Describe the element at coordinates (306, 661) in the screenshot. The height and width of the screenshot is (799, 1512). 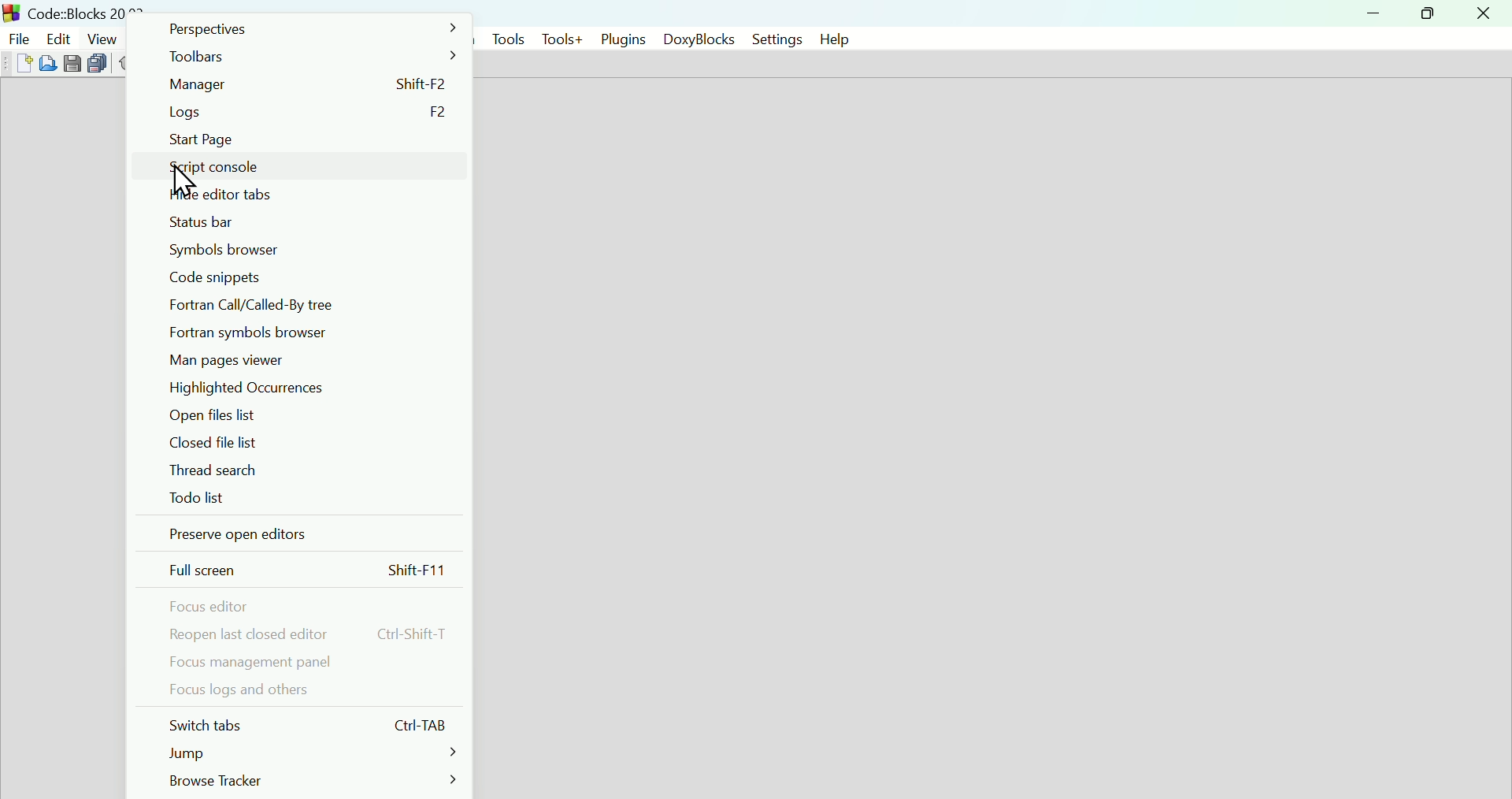
I see `Focus management panel` at that location.